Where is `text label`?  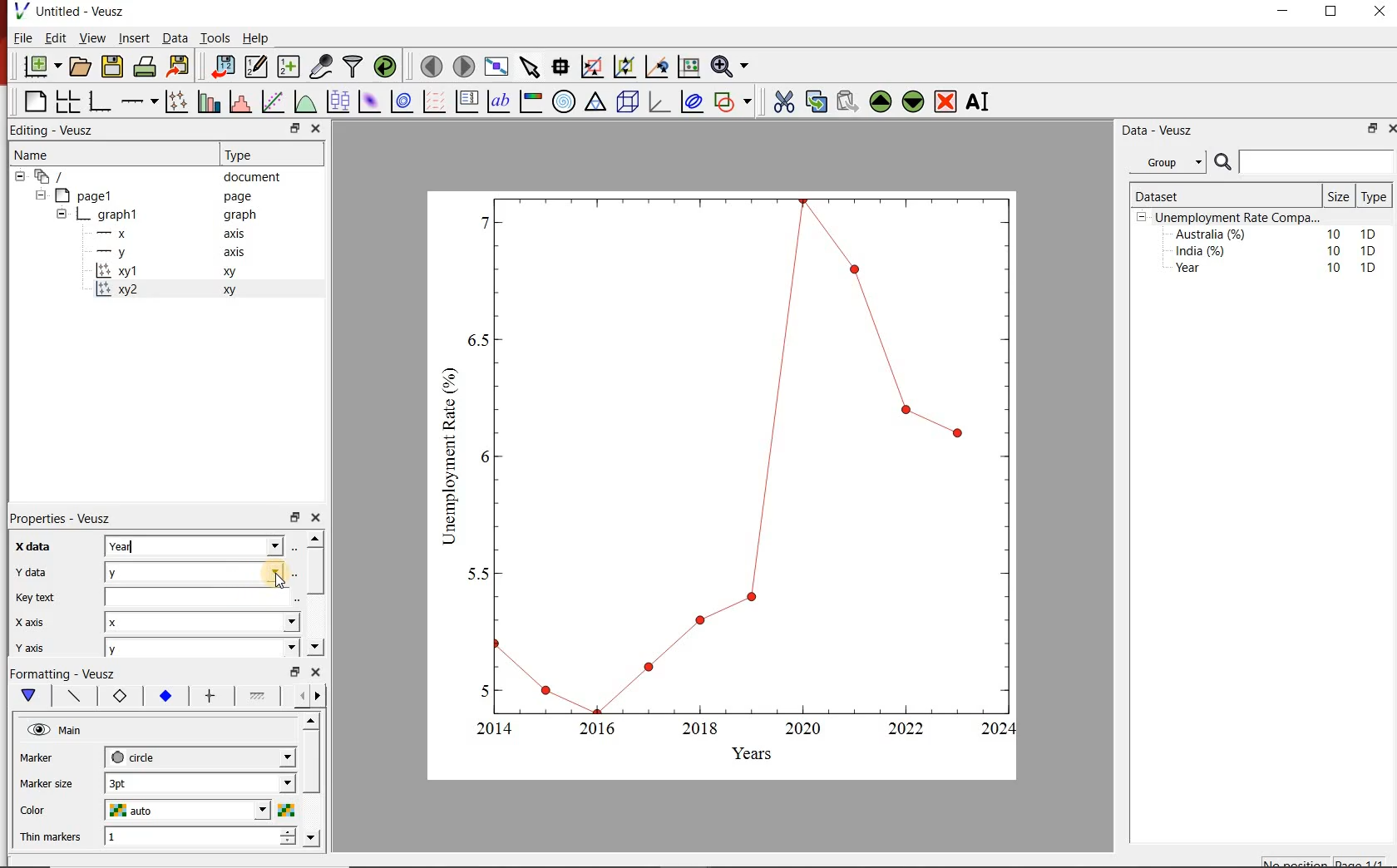 text label is located at coordinates (499, 101).